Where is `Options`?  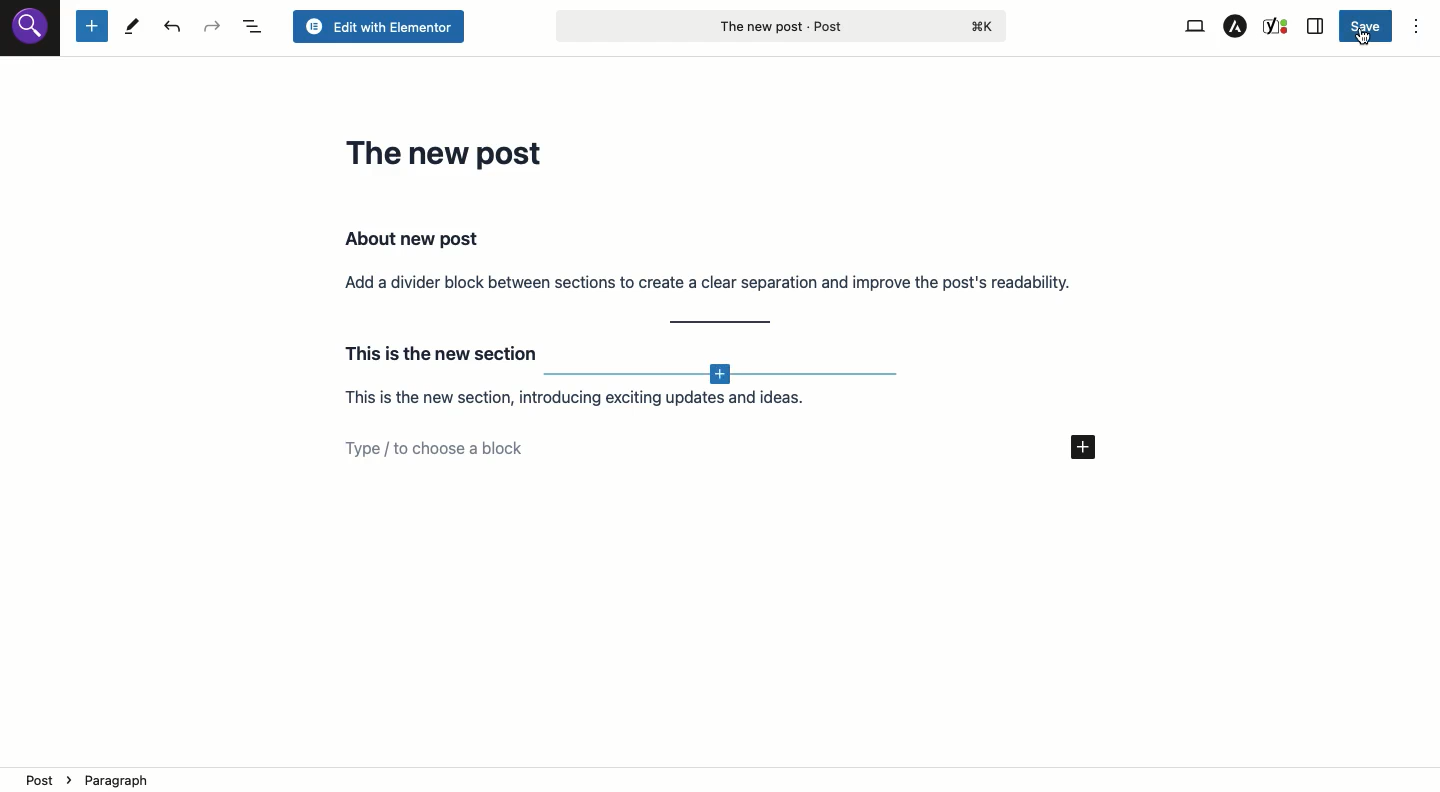 Options is located at coordinates (1416, 28).